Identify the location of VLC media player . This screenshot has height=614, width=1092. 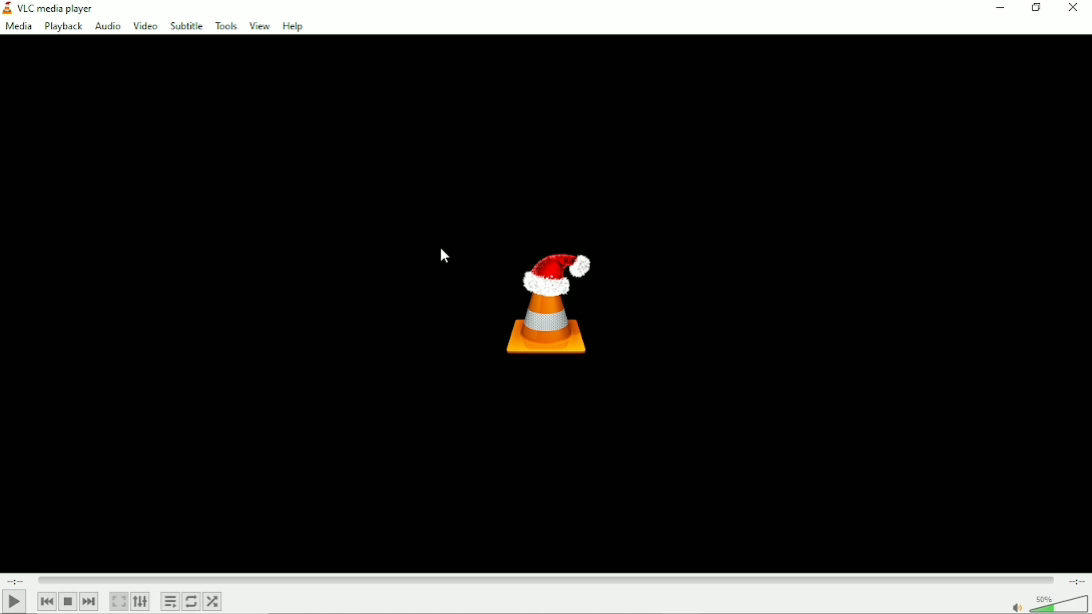
(58, 8).